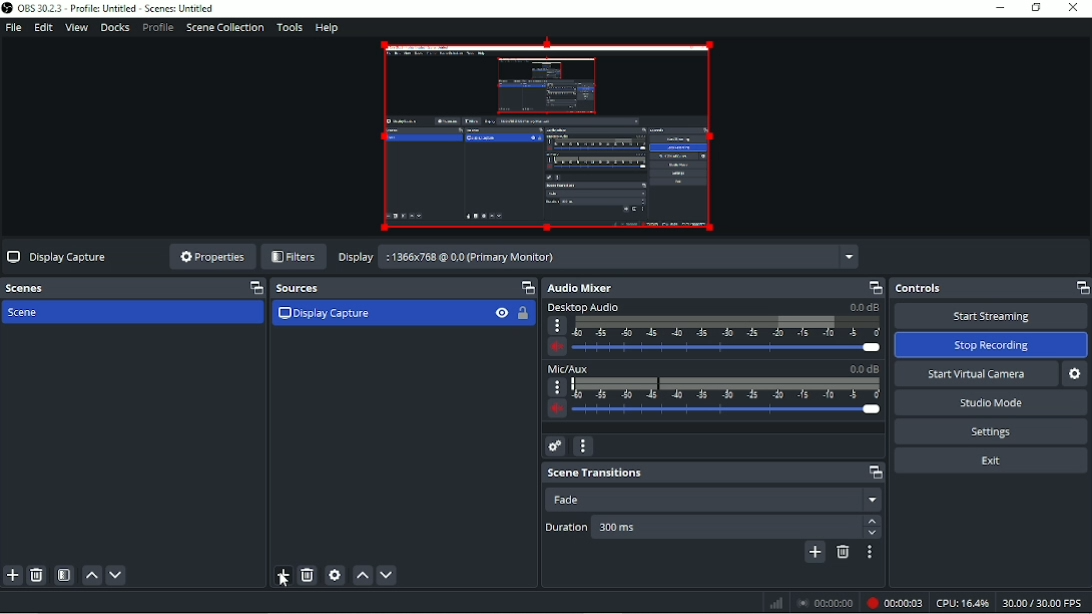 This screenshot has width=1092, height=614. I want to click on Sources, so click(403, 286).